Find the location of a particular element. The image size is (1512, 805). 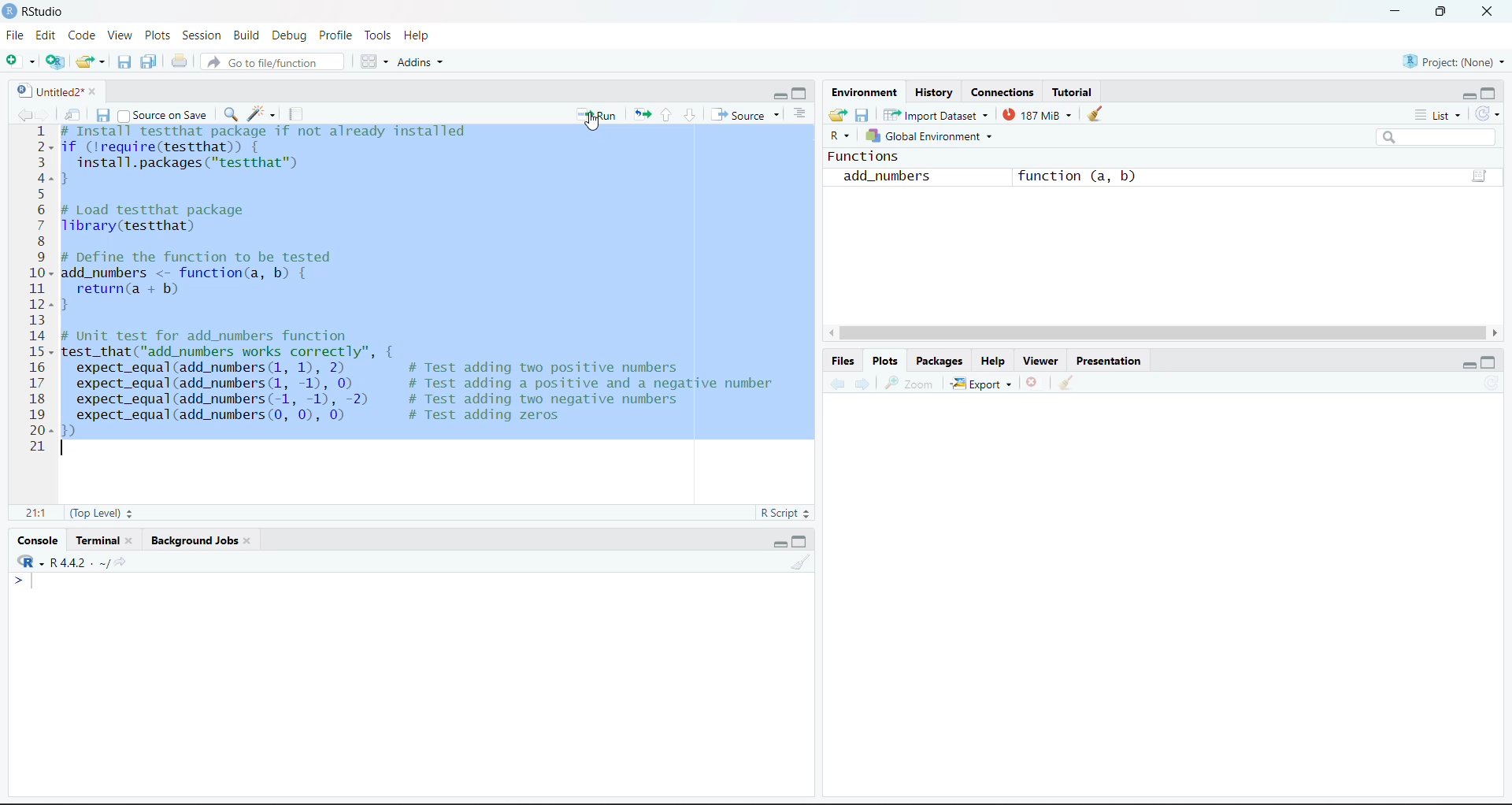

add_numbers is located at coordinates (885, 176).